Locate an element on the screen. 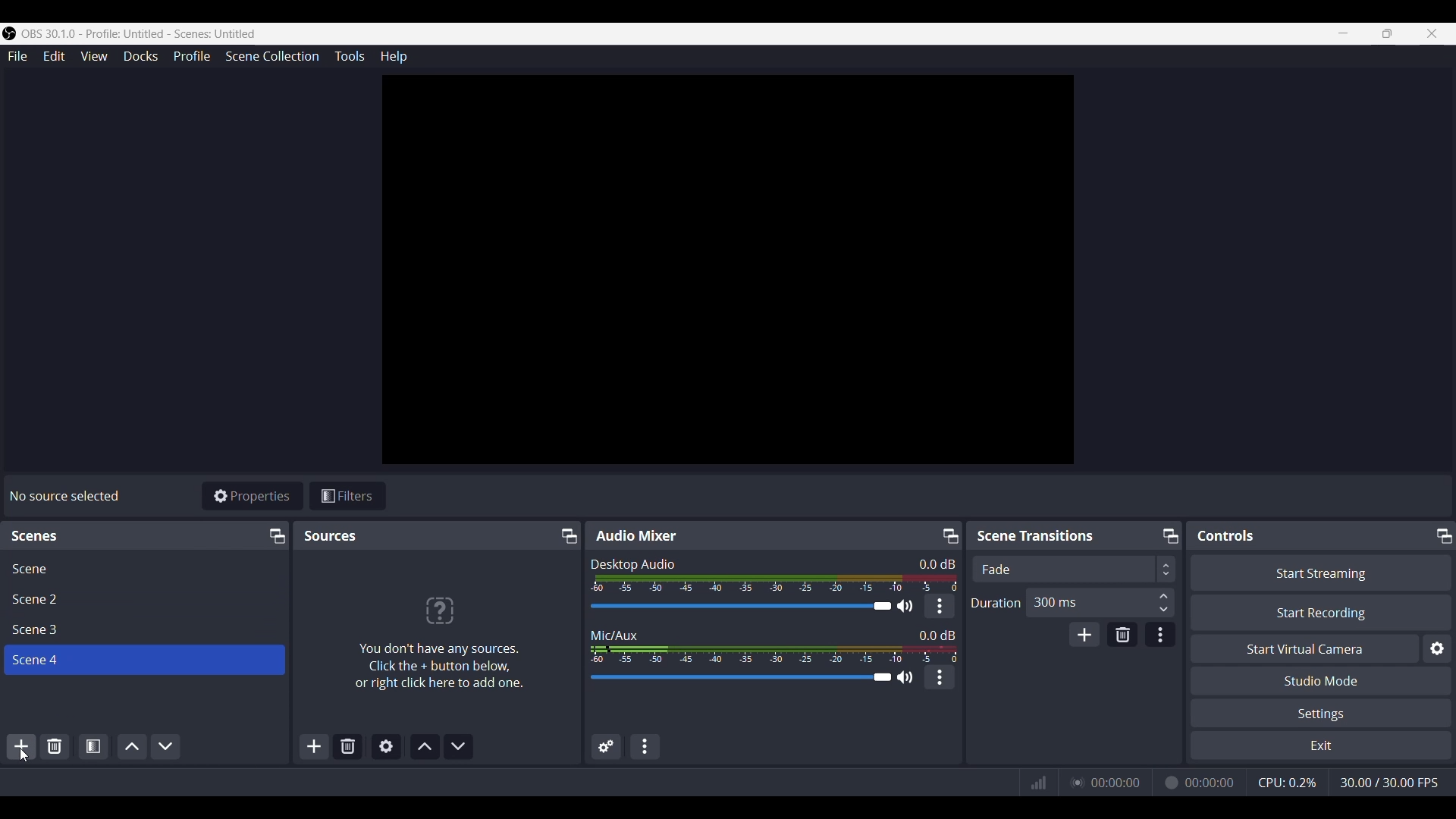 The width and height of the screenshot is (1456, 819). Virtual Camera Settings is located at coordinates (1437, 648).